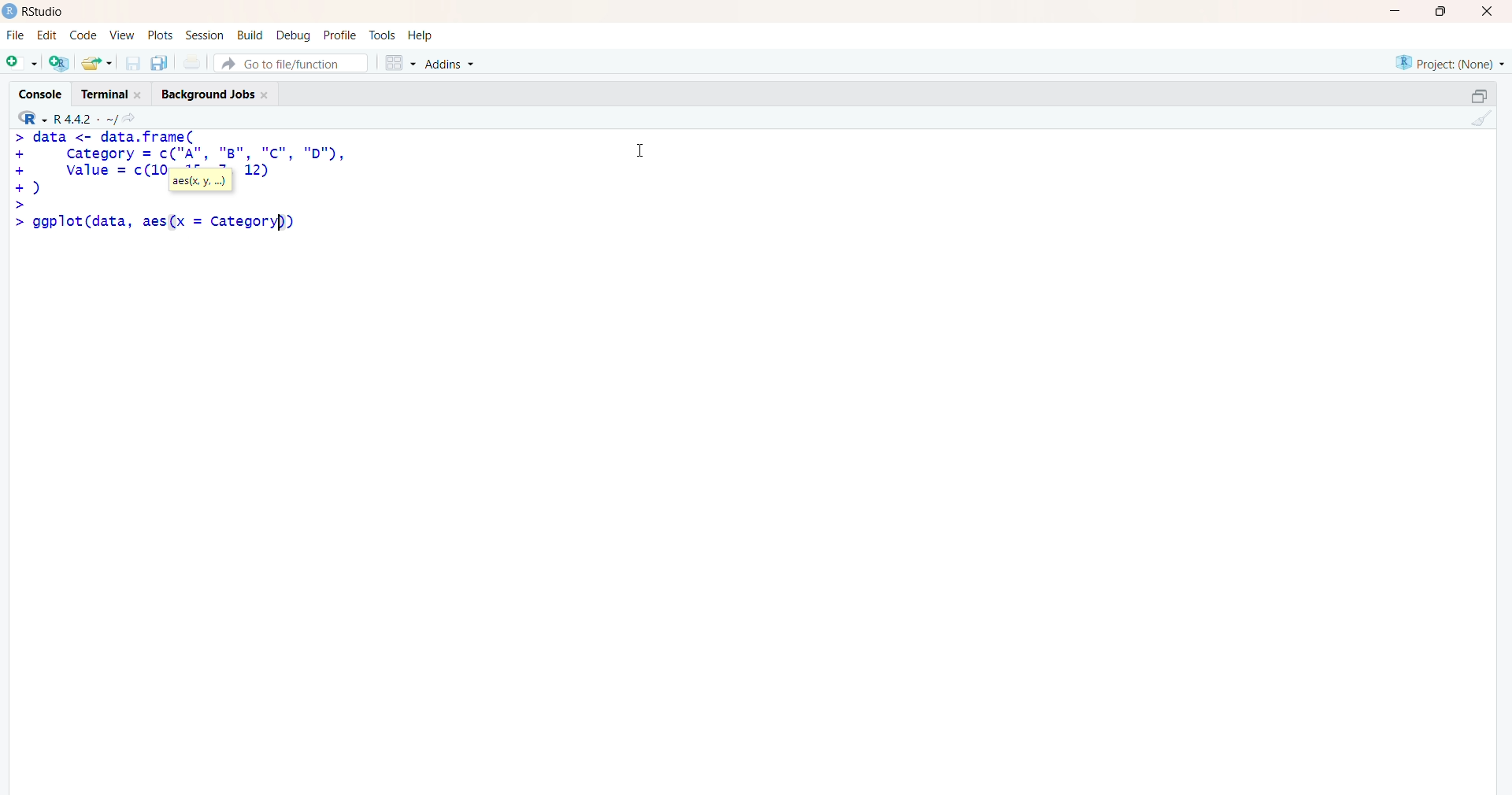 This screenshot has height=795, width=1512. What do you see at coordinates (1446, 11) in the screenshot?
I see `maximize` at bounding box center [1446, 11].